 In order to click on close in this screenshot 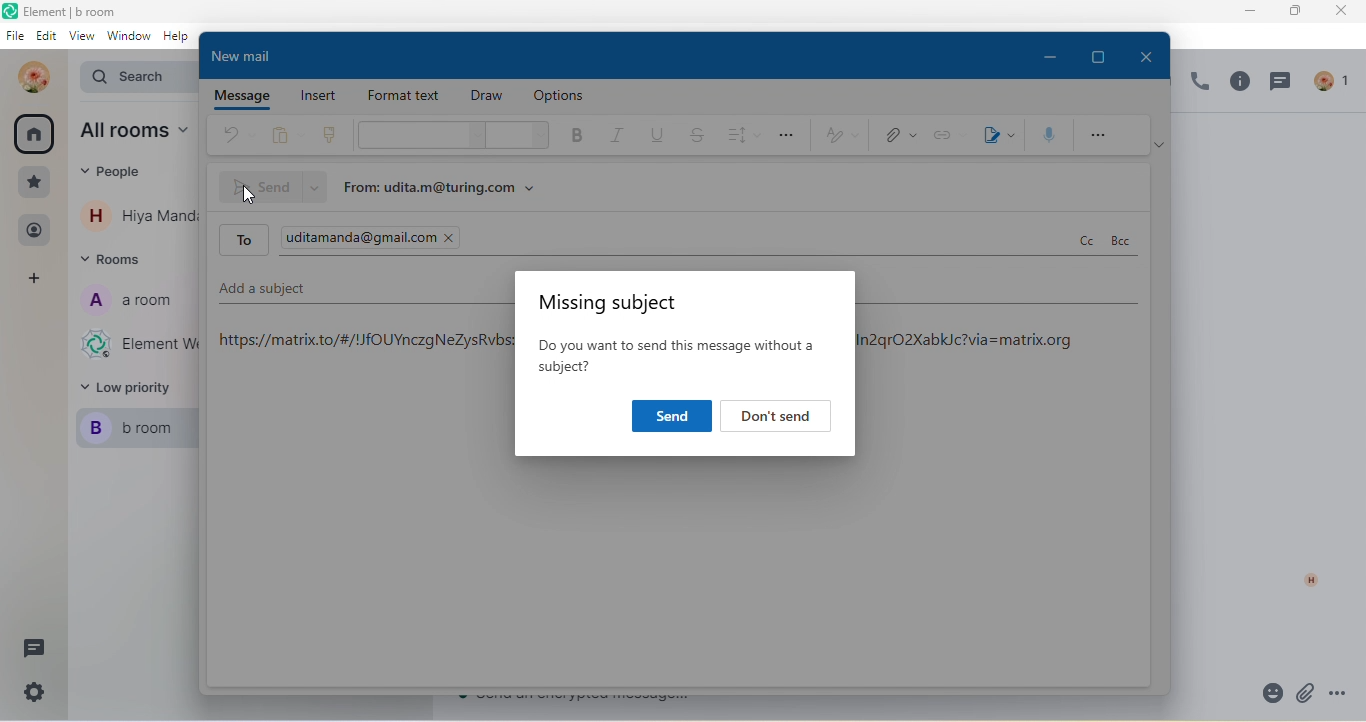, I will do `click(1337, 12)`.